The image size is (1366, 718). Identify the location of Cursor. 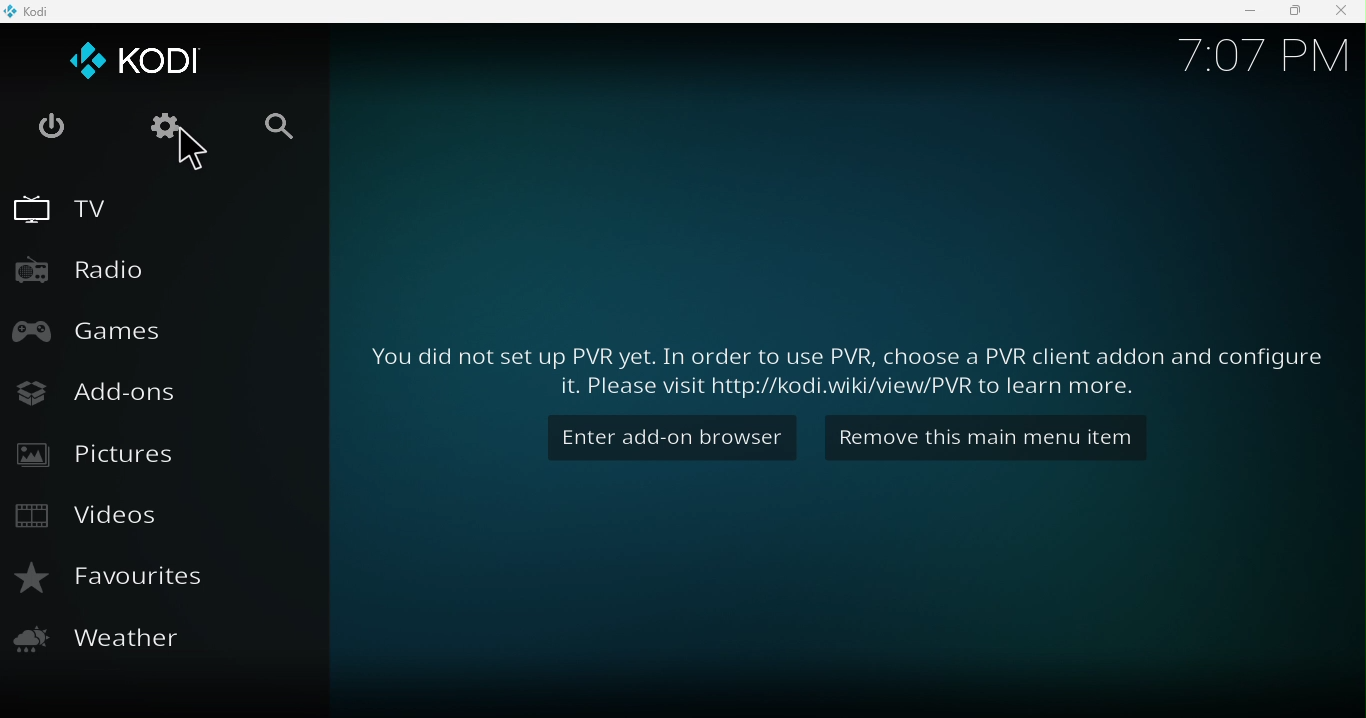
(198, 155).